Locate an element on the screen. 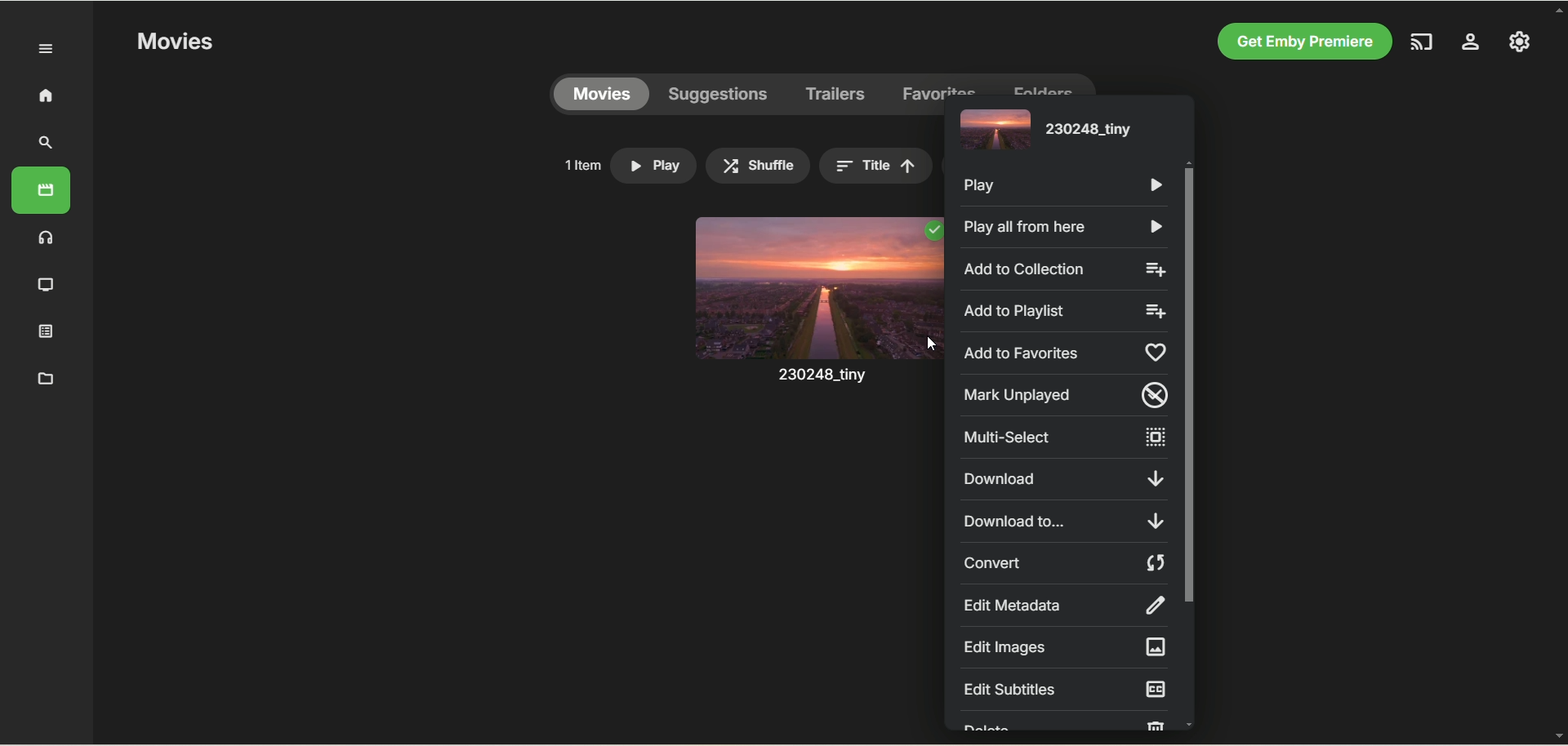  multi-select is located at coordinates (1062, 437).